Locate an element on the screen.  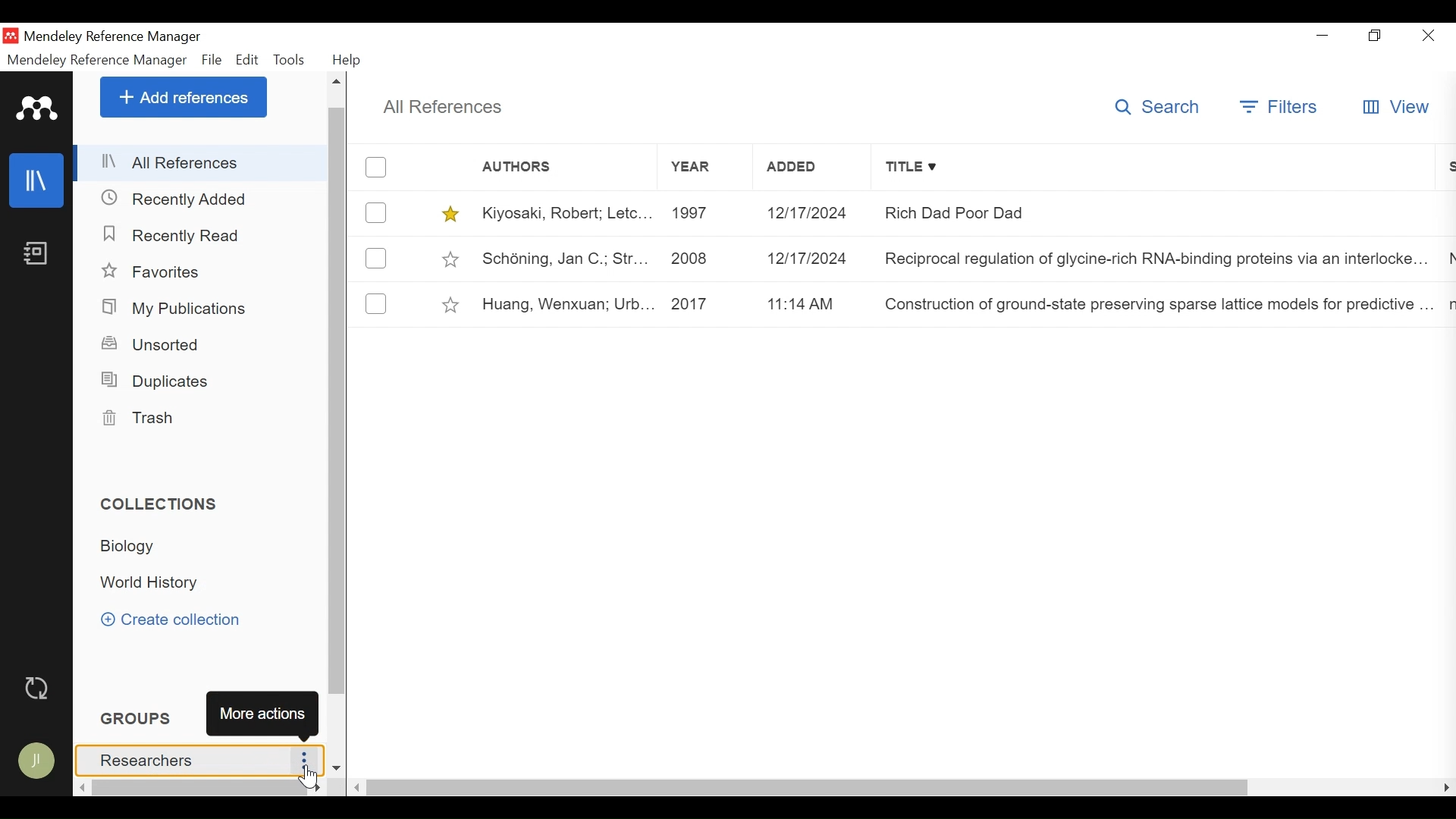
Horizontal Scroll bar is located at coordinates (811, 788).